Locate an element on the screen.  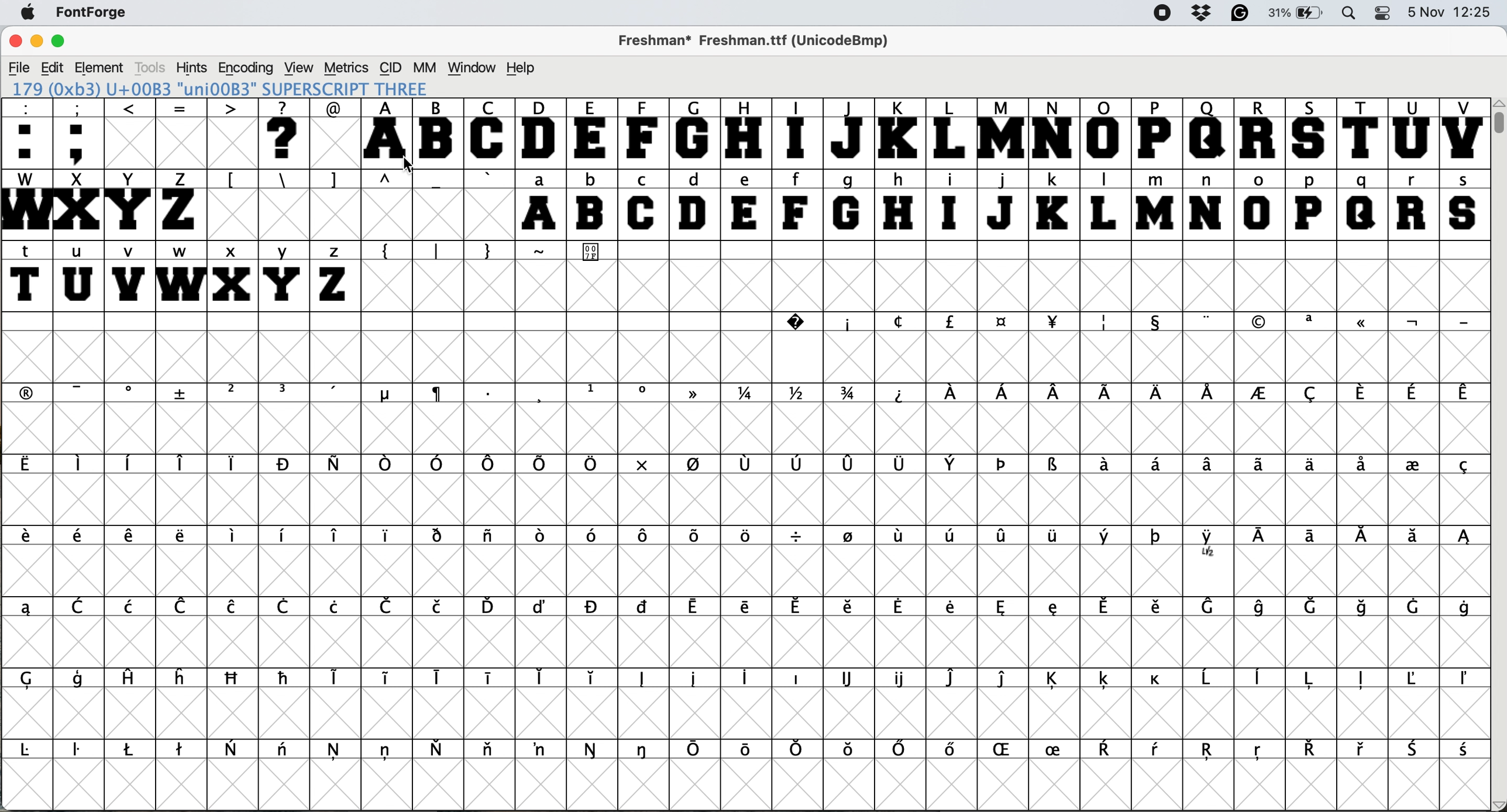
e is located at coordinates (746, 204).